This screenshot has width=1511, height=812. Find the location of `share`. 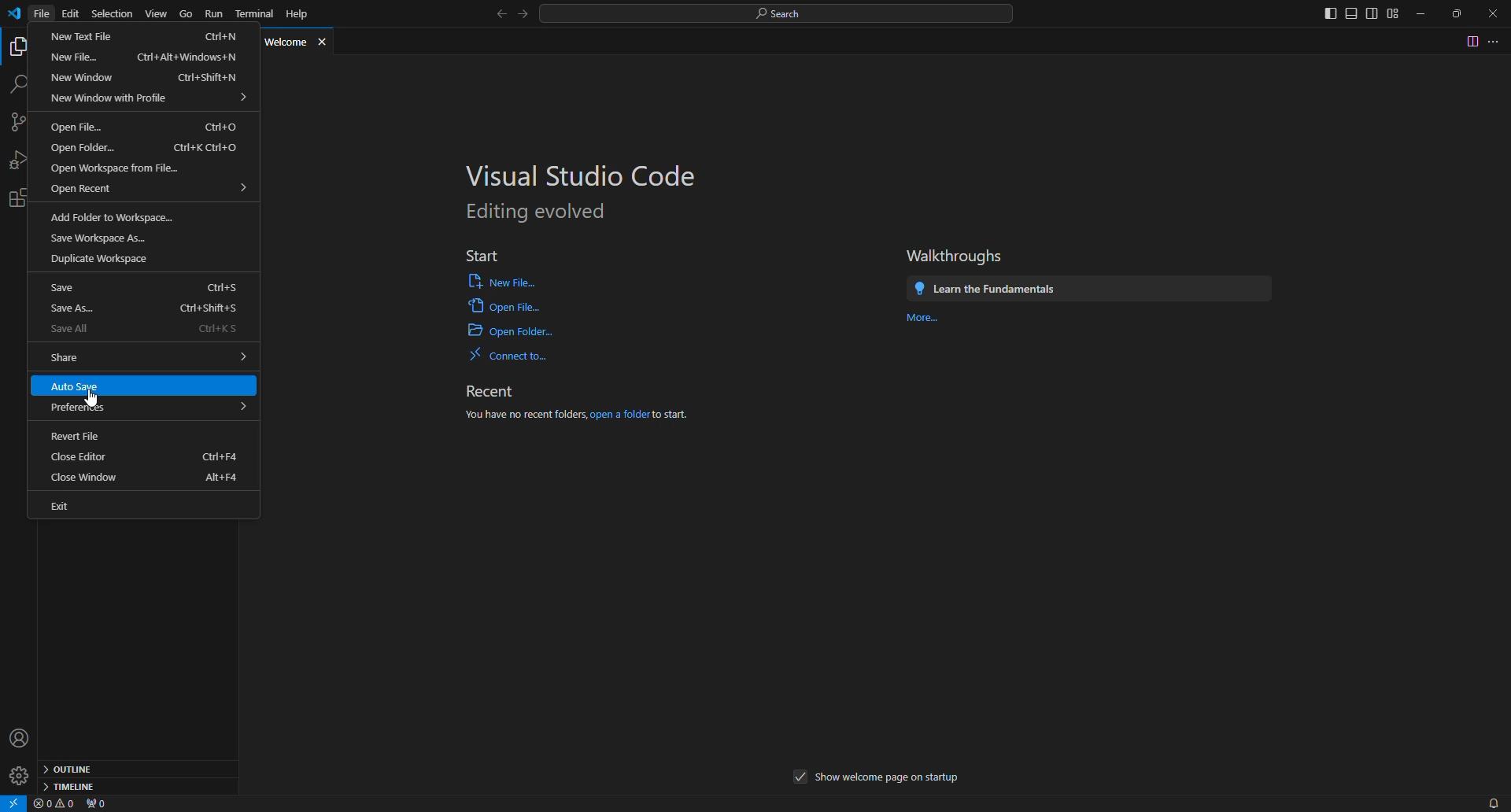

share is located at coordinates (65, 357).